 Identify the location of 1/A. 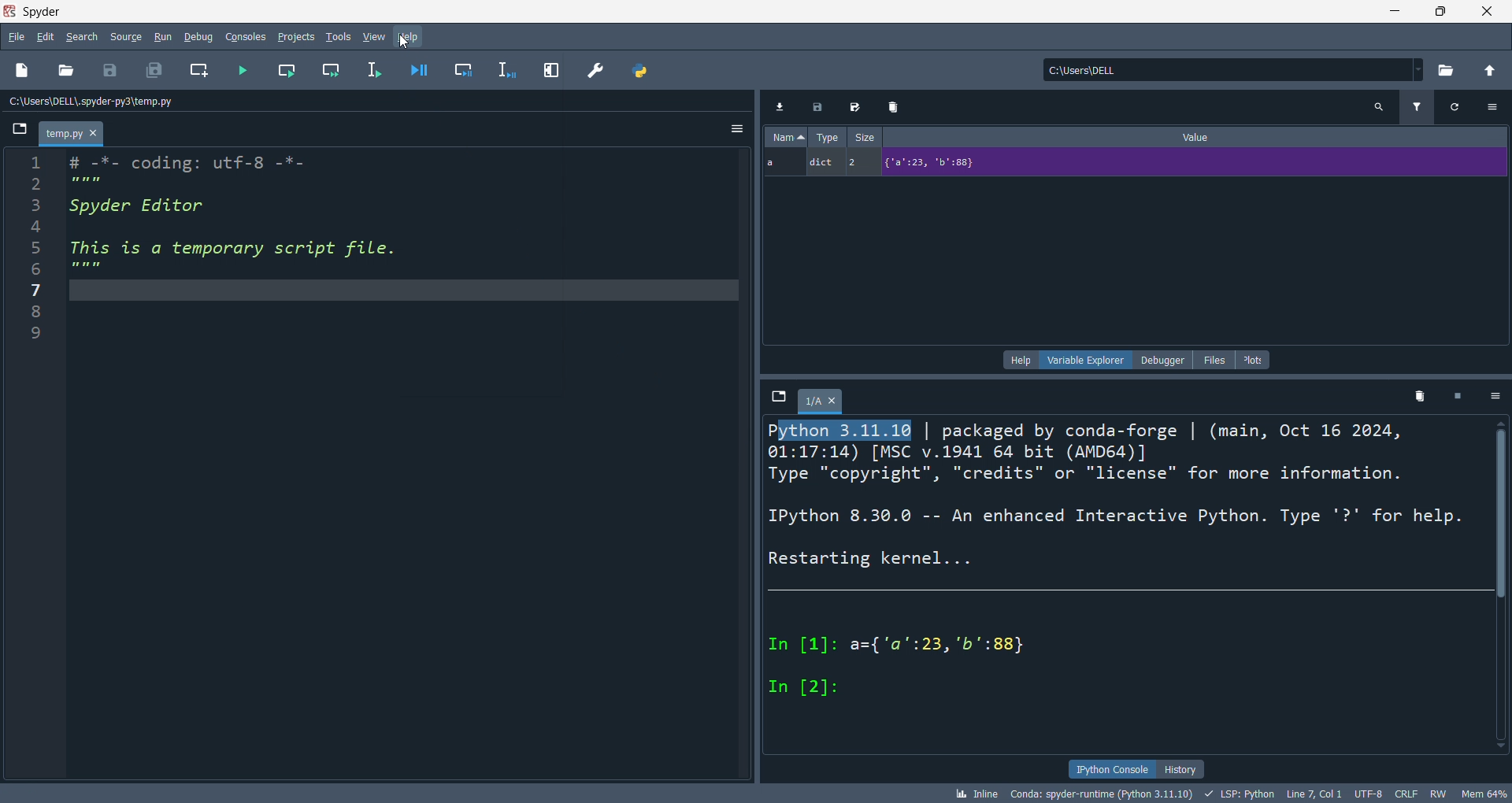
(821, 400).